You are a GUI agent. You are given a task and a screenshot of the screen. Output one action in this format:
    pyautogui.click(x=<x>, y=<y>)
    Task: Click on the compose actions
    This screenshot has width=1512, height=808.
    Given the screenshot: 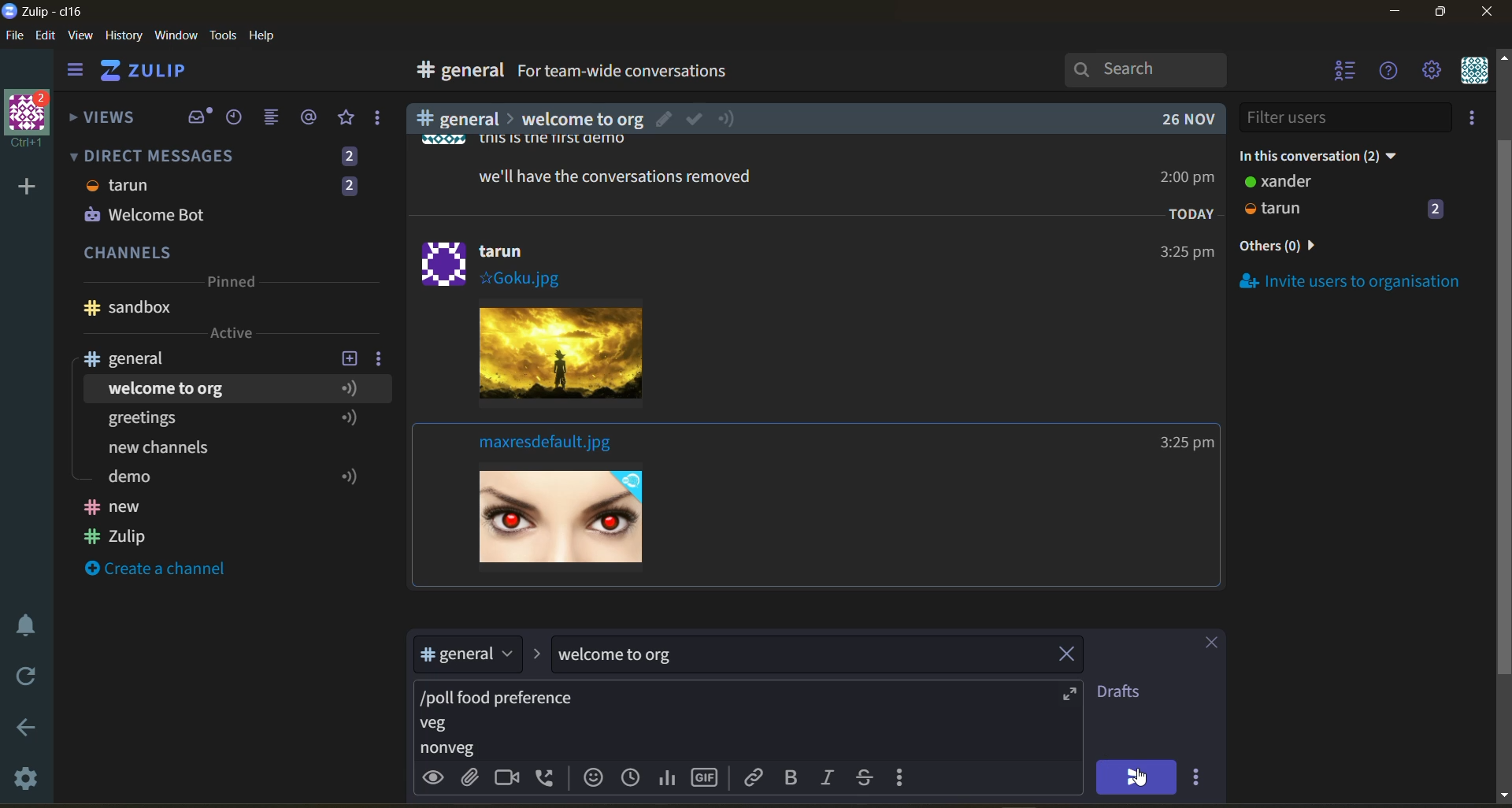 What is the action you would take?
    pyautogui.click(x=900, y=780)
    